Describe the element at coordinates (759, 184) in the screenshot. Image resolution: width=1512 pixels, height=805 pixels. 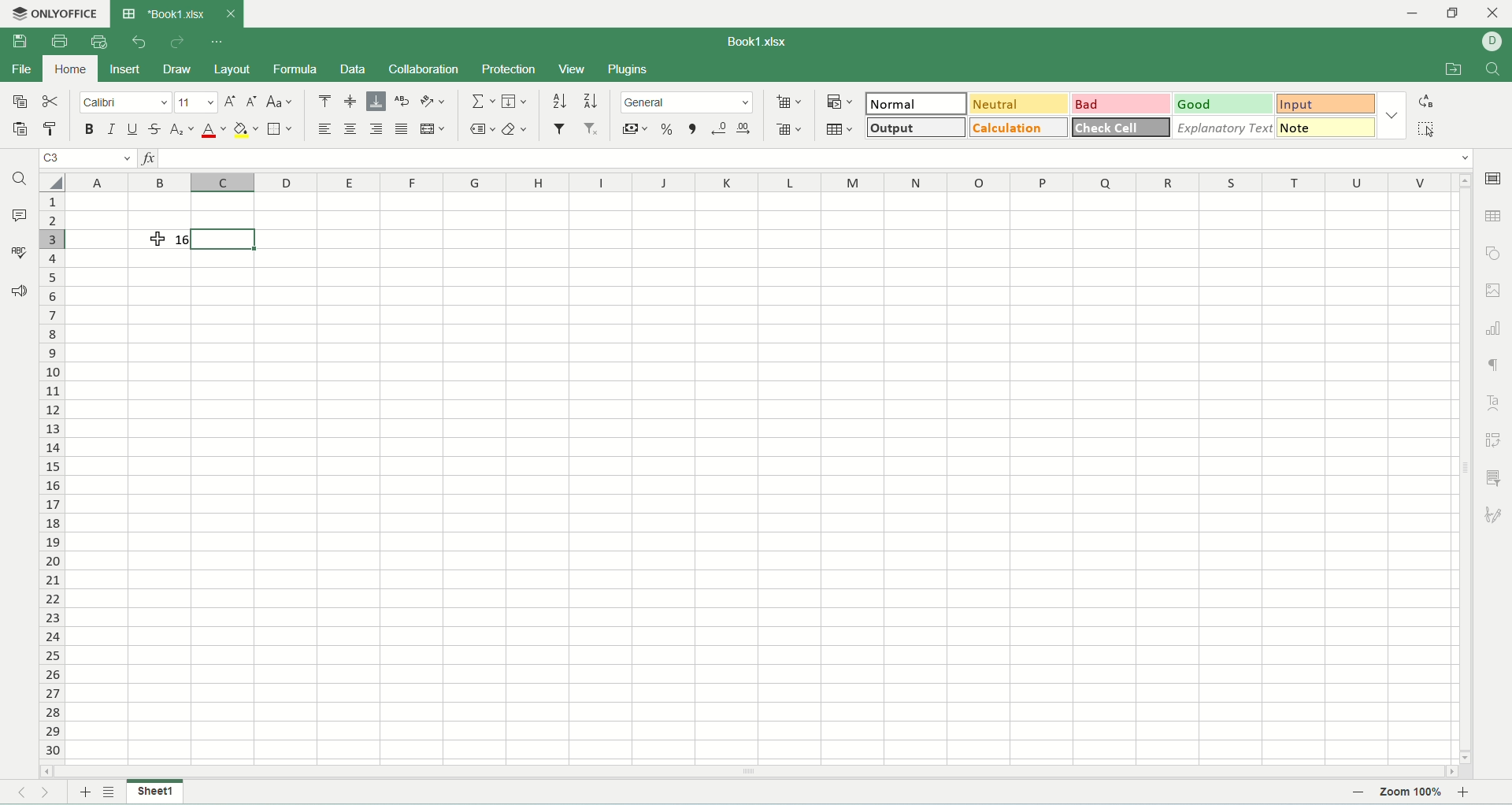
I see `column name` at that location.